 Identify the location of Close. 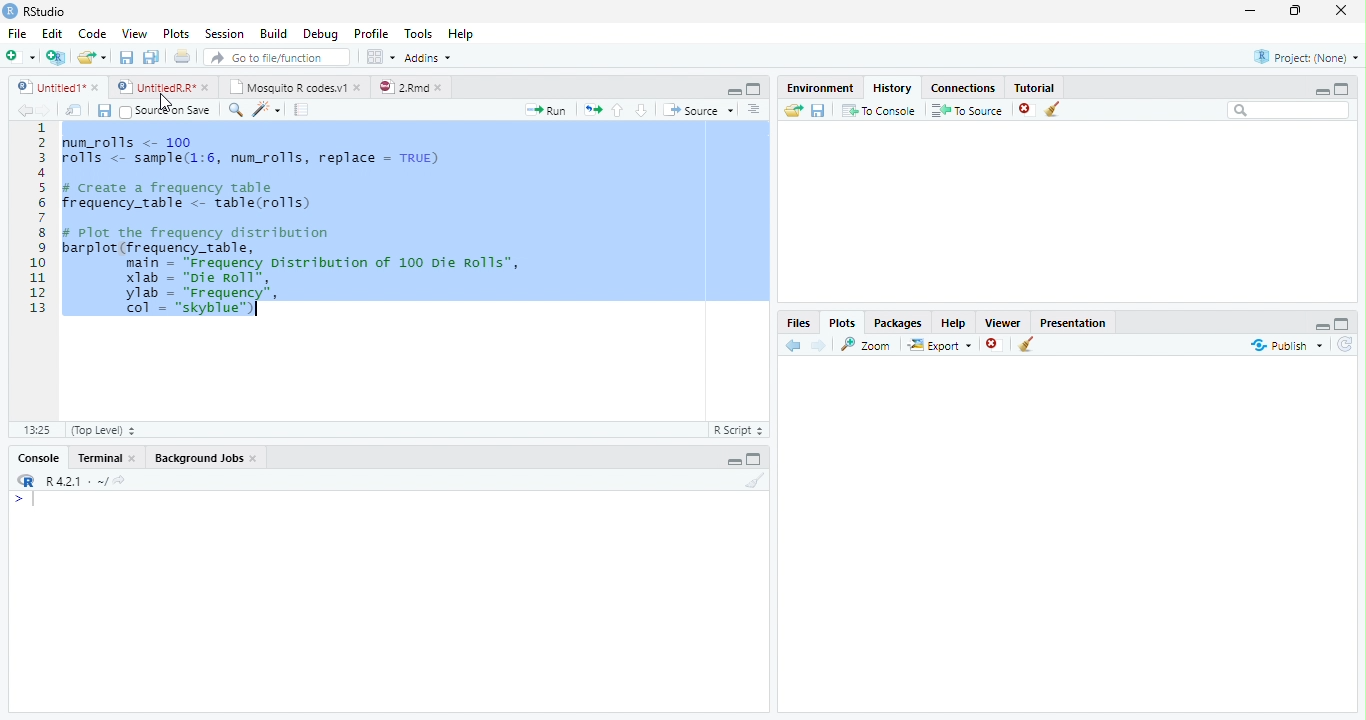
(1343, 11).